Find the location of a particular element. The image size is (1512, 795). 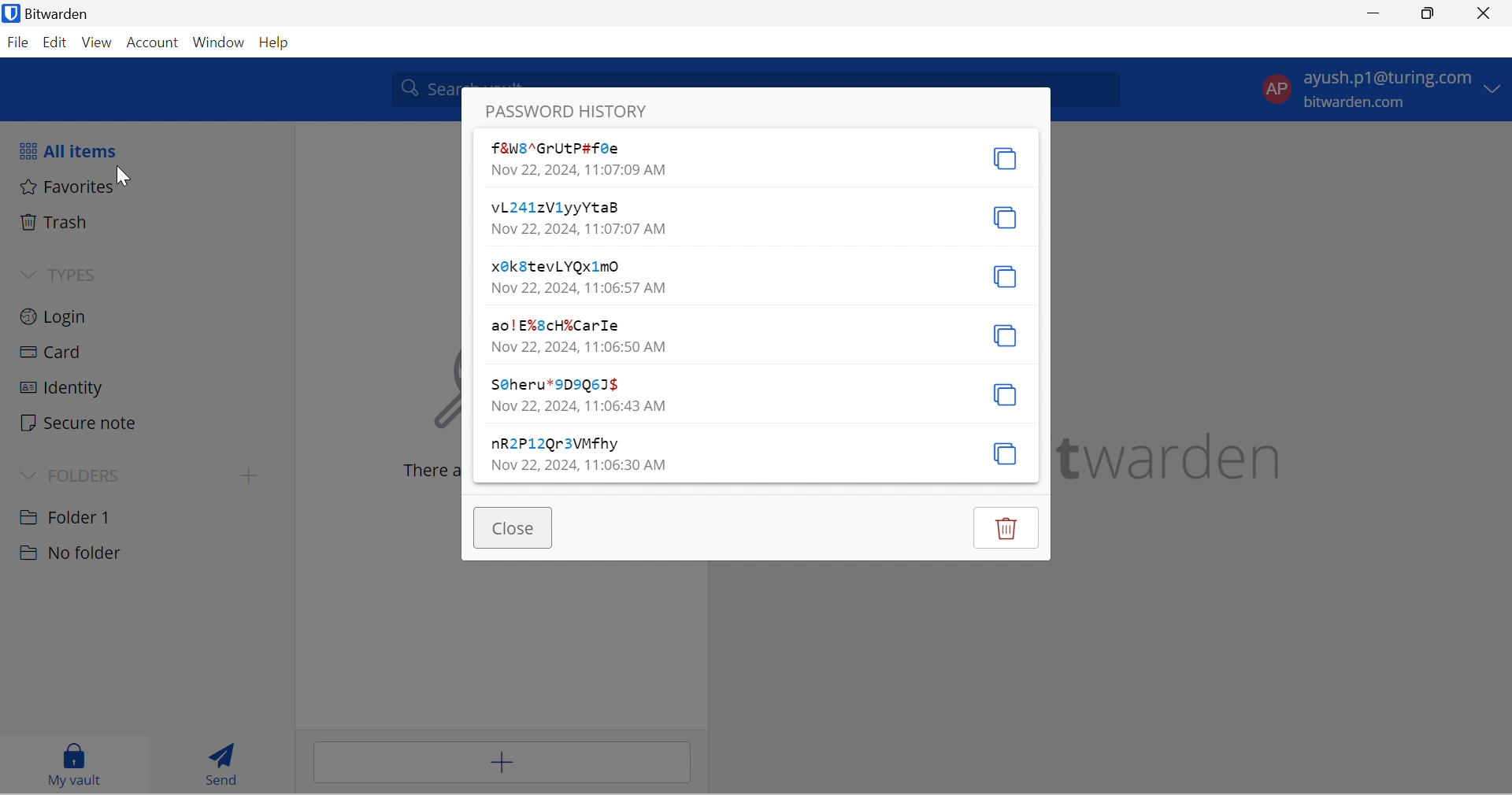

minimize is located at coordinates (1376, 14).